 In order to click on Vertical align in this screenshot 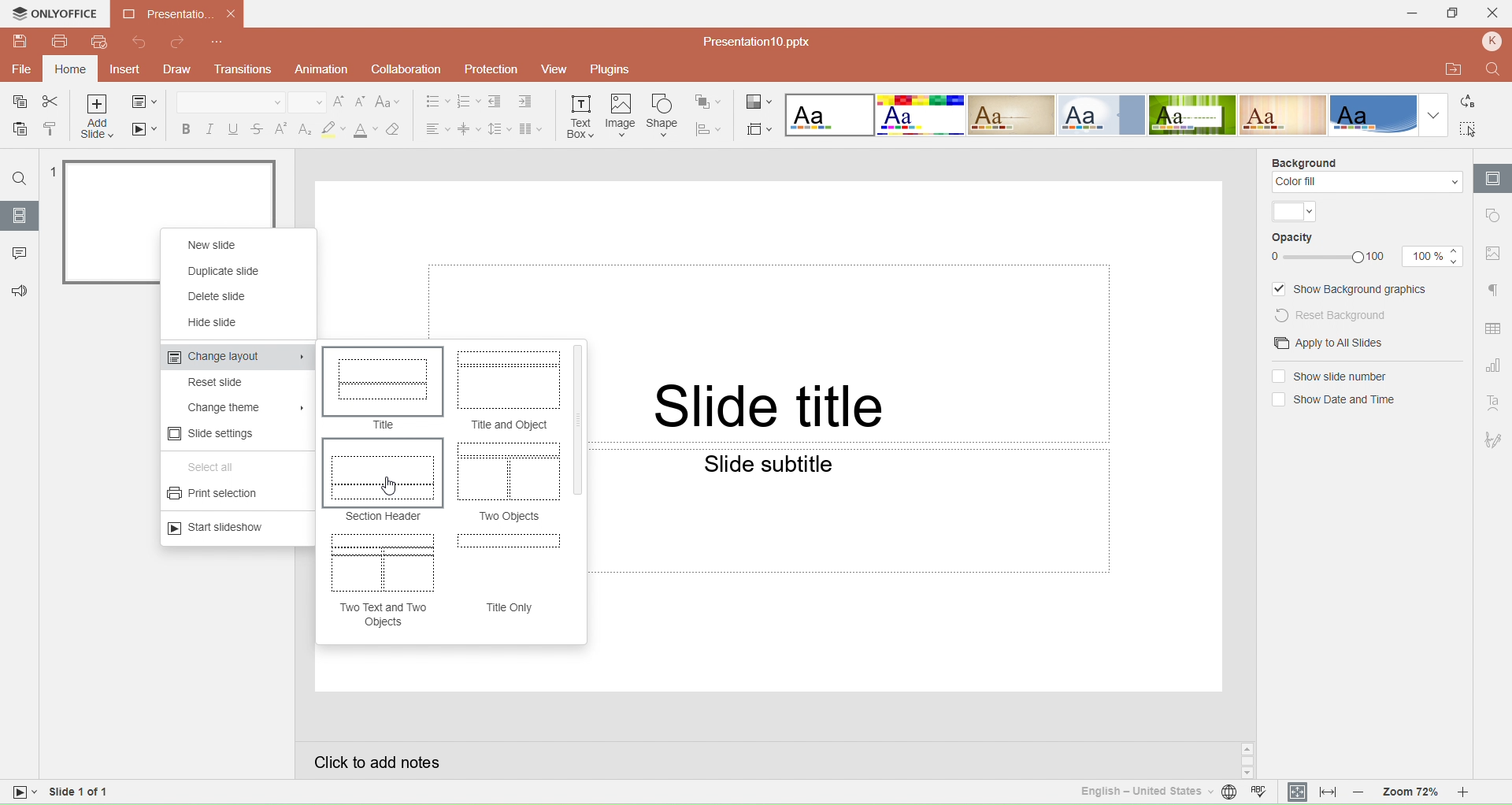, I will do `click(469, 128)`.